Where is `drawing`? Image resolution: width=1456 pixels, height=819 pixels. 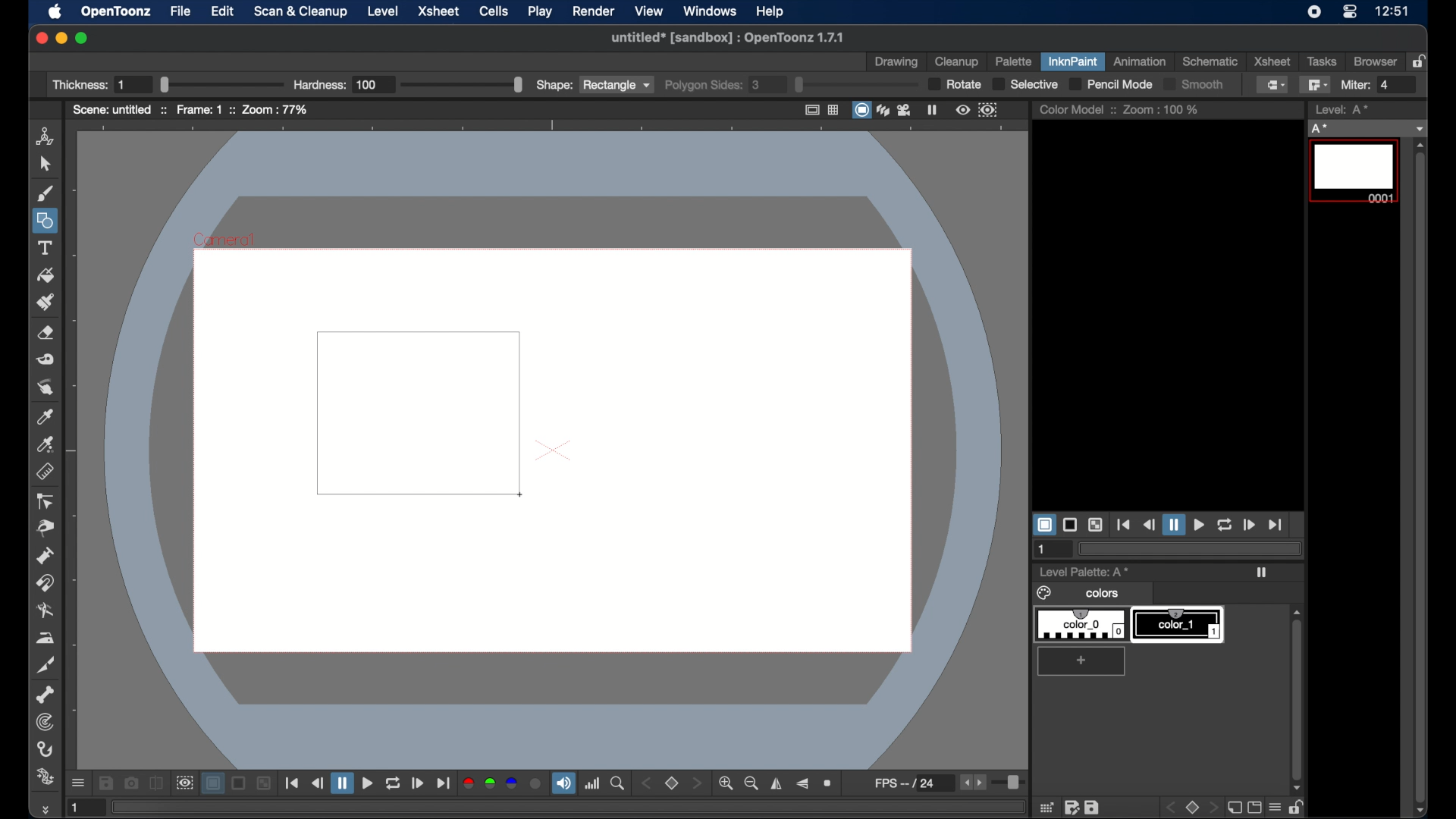
drawing is located at coordinates (896, 63).